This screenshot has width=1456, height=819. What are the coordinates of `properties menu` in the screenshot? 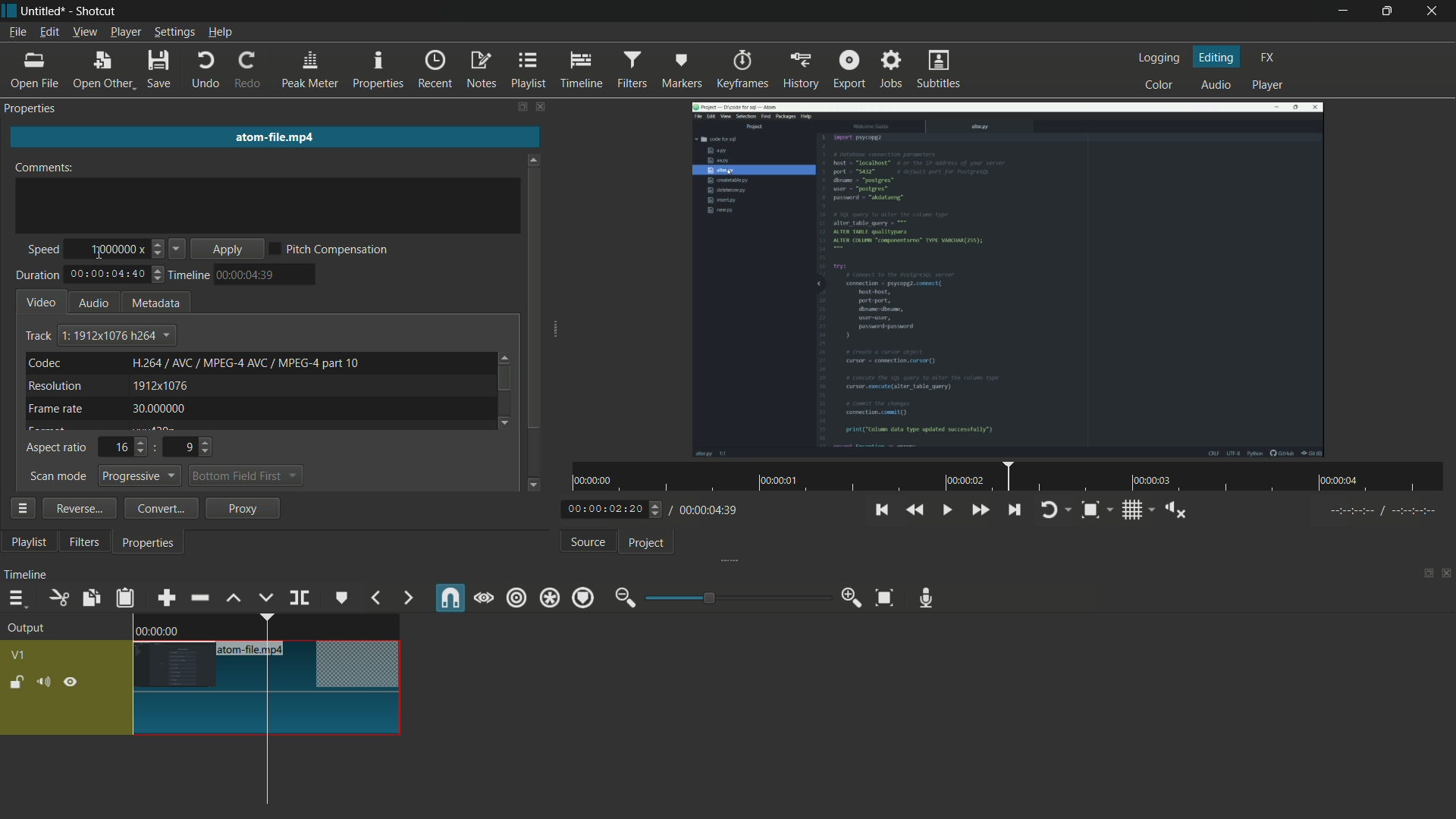 It's located at (21, 507).